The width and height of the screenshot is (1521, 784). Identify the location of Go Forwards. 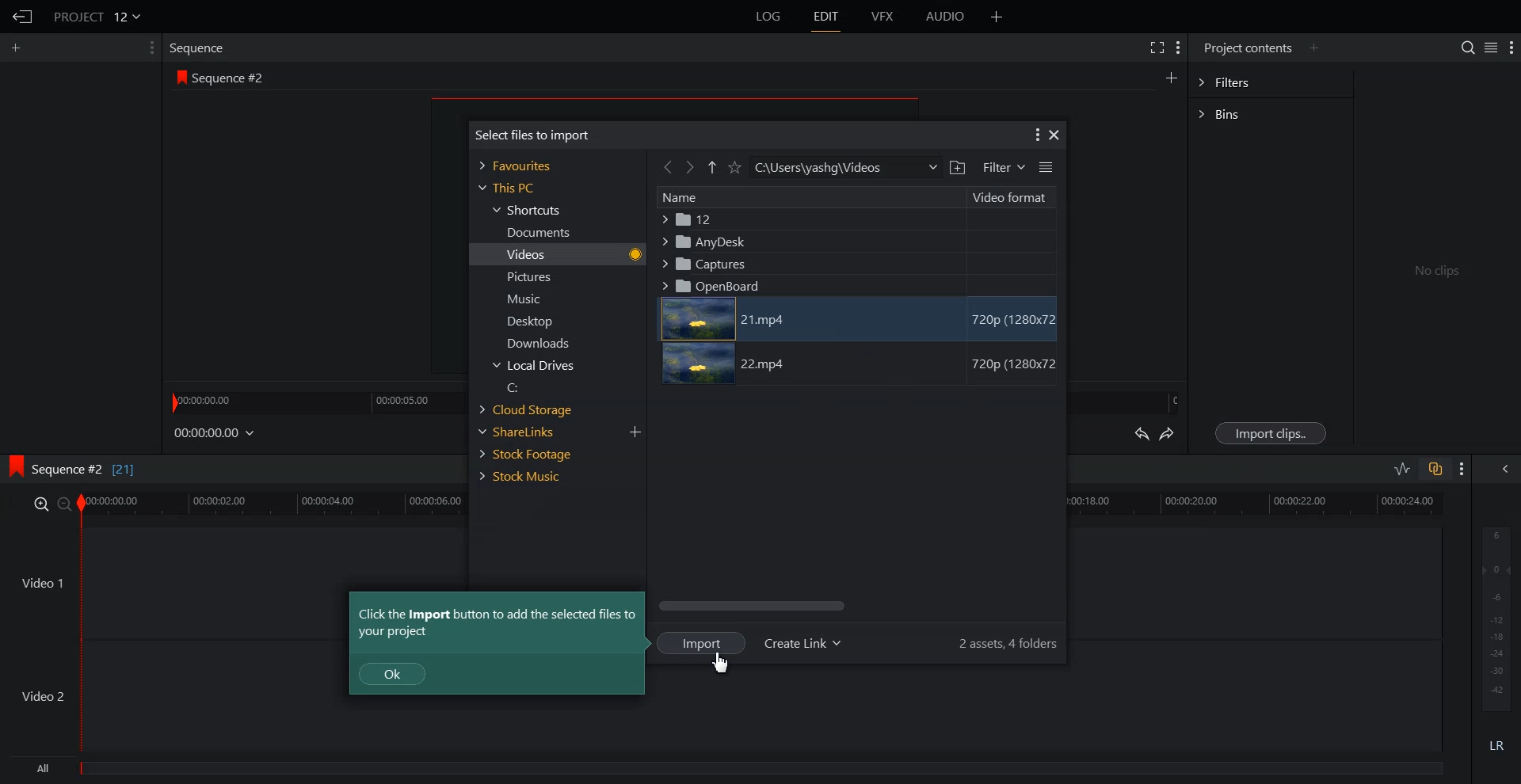
(690, 167).